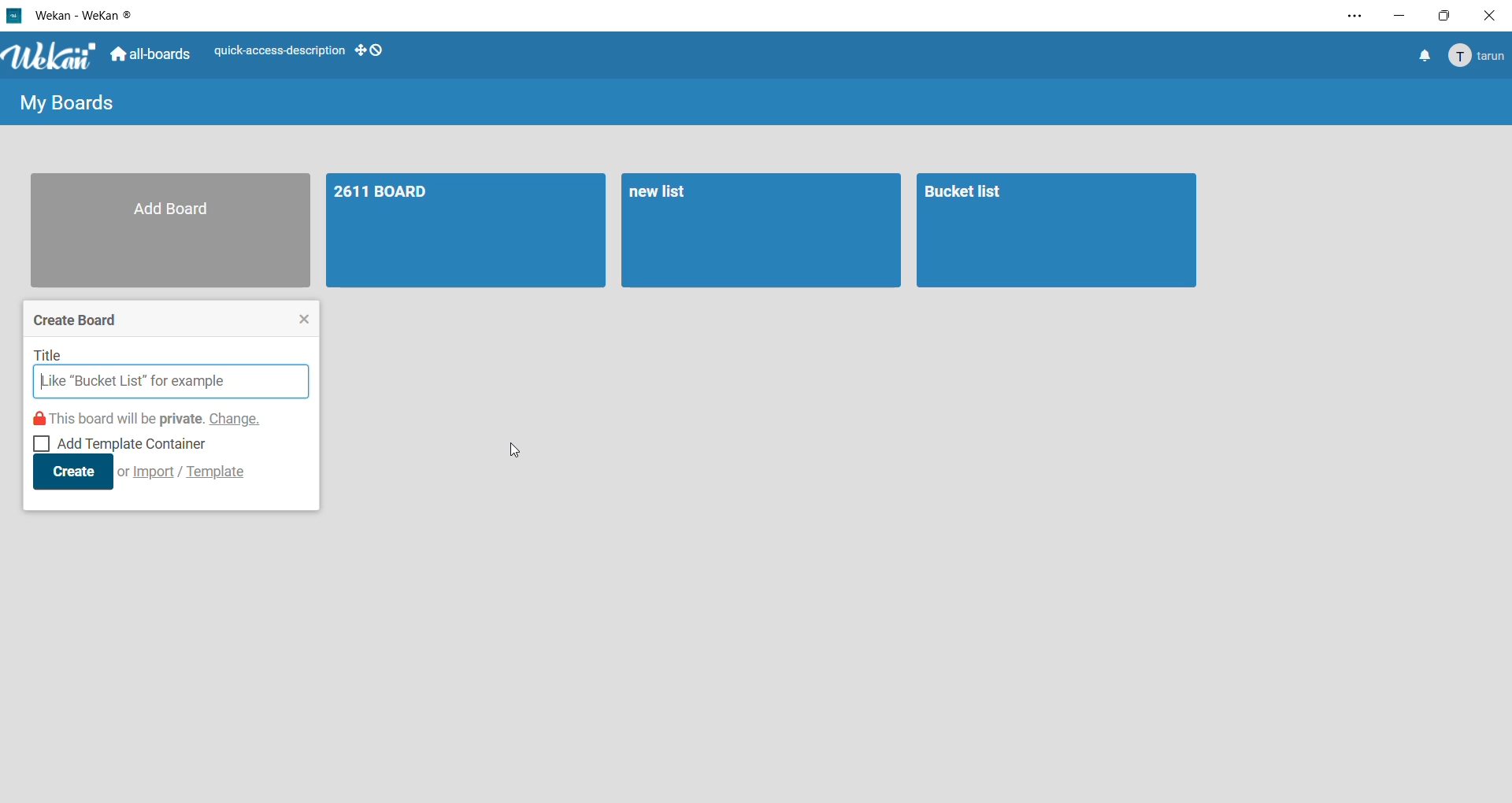  Describe the element at coordinates (52, 56) in the screenshot. I see `WeKan` at that location.